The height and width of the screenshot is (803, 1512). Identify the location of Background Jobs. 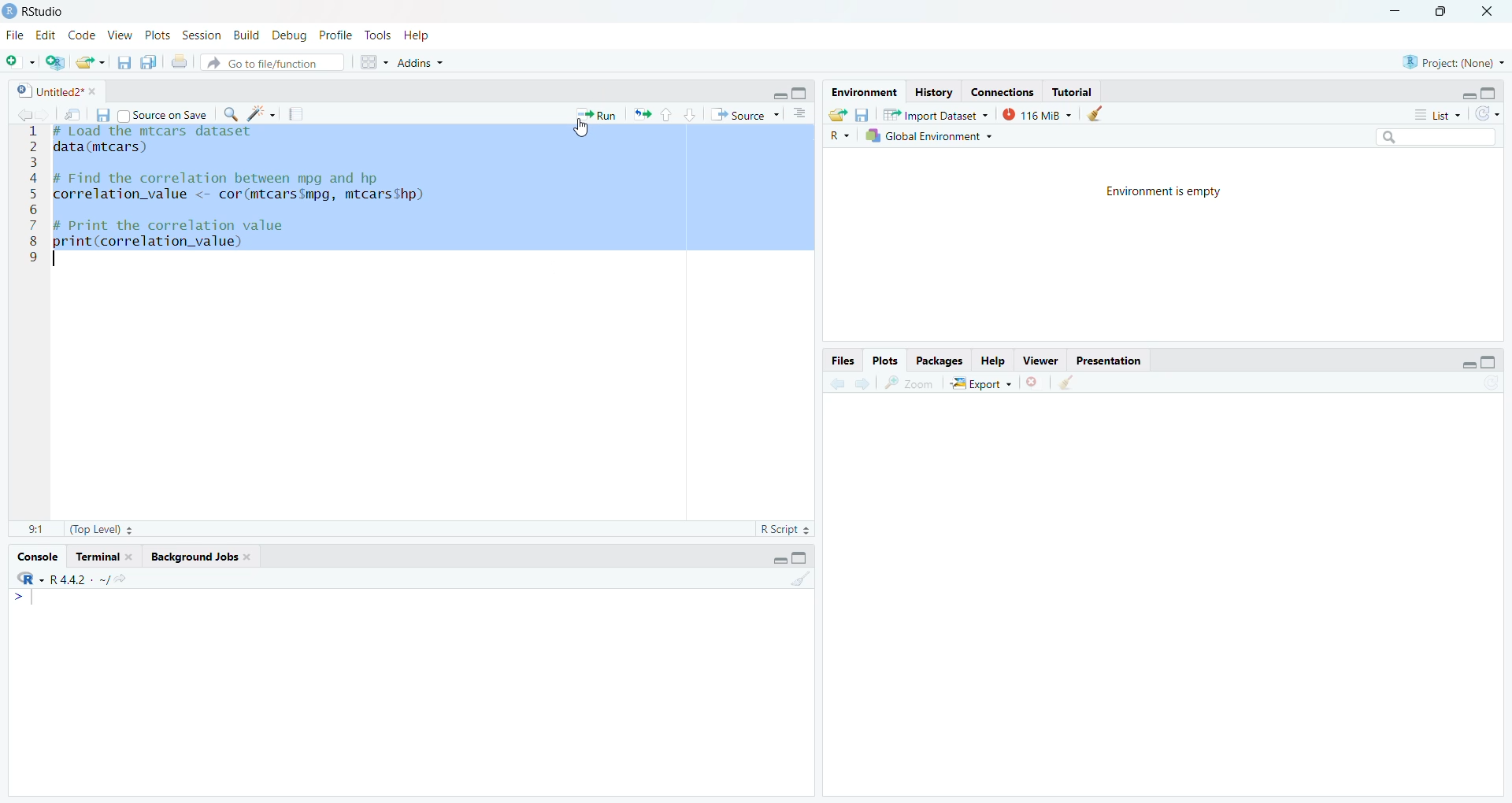
(198, 556).